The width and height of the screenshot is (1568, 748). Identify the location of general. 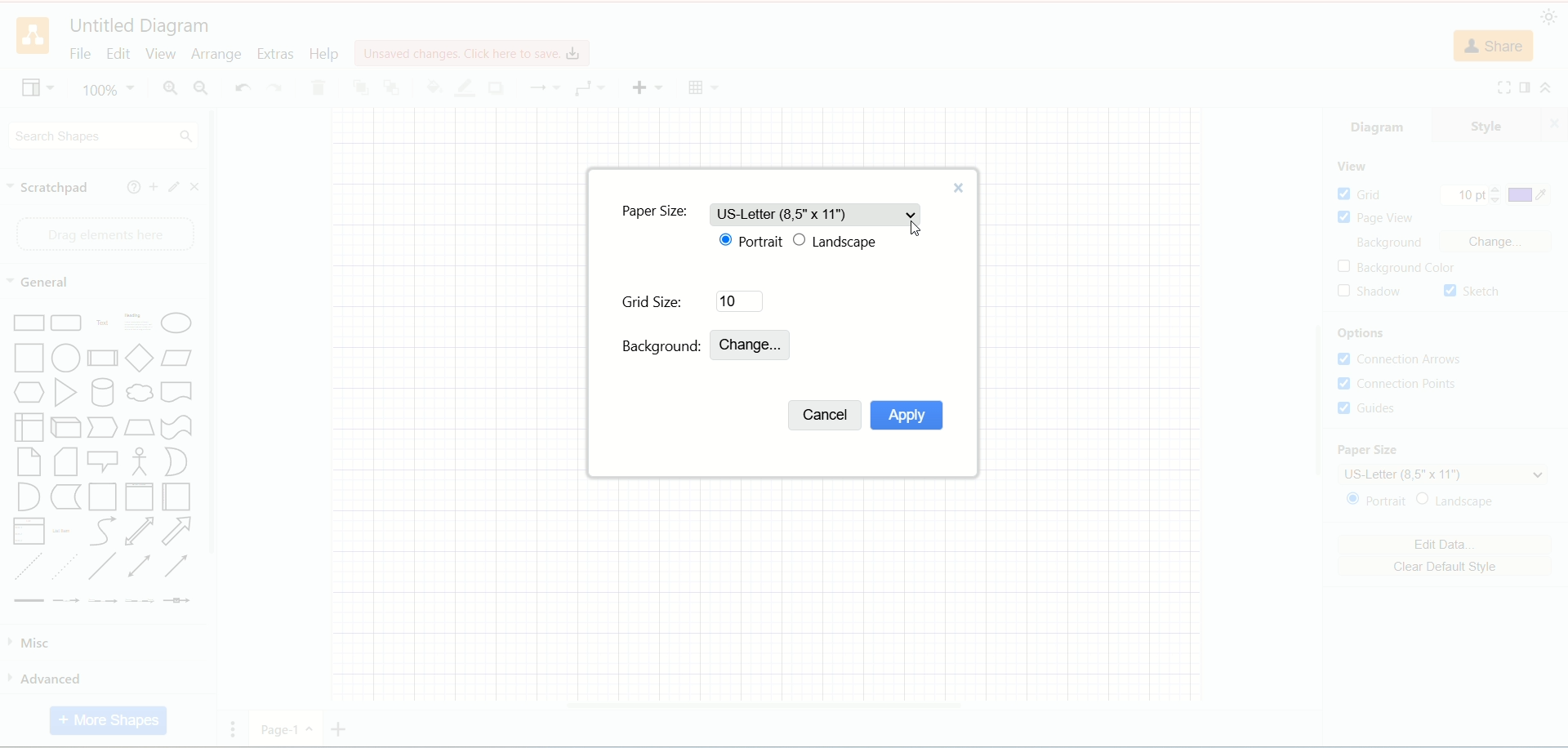
(42, 283).